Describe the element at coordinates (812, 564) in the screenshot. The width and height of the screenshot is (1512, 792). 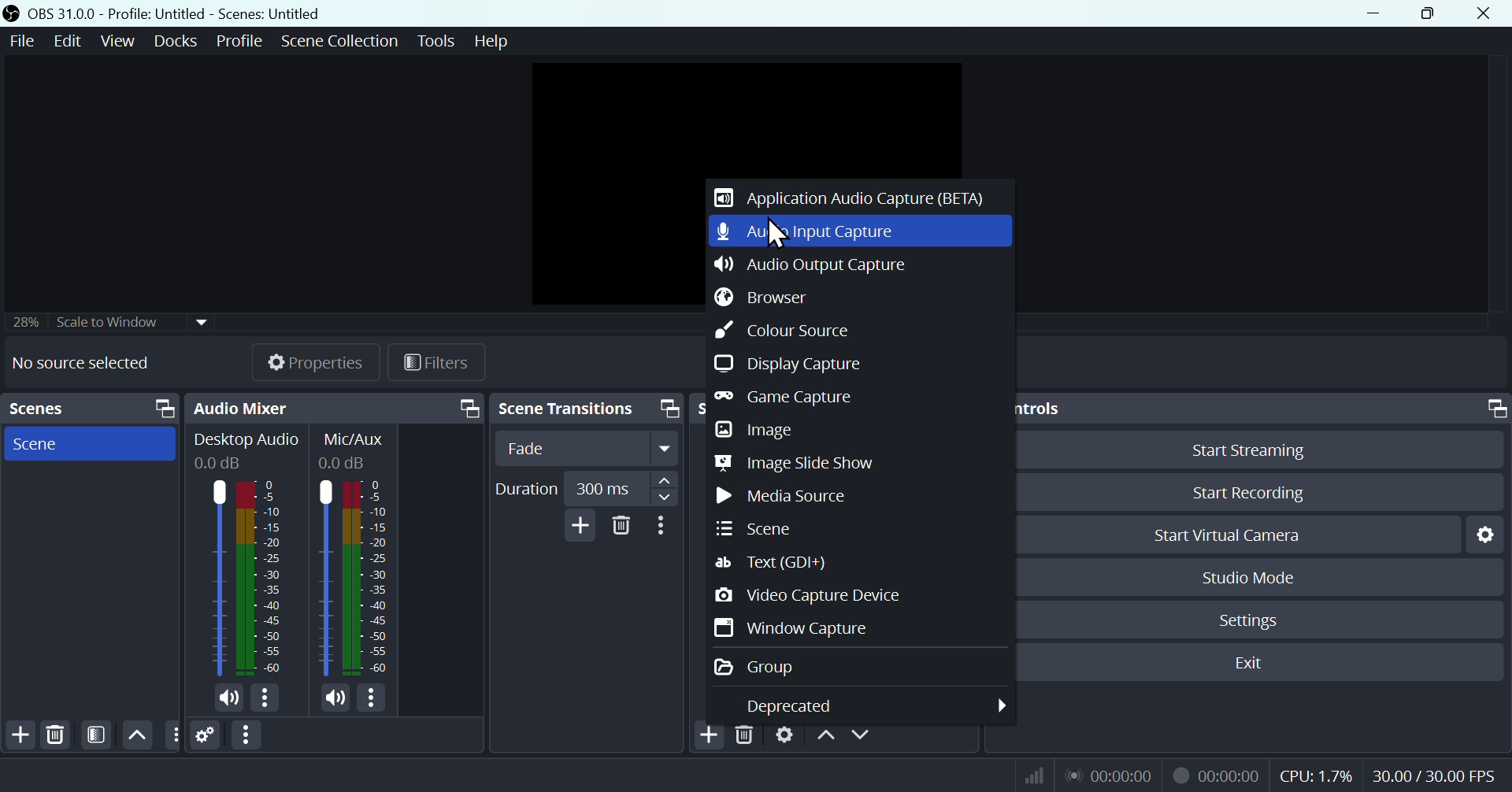
I see `Text` at that location.